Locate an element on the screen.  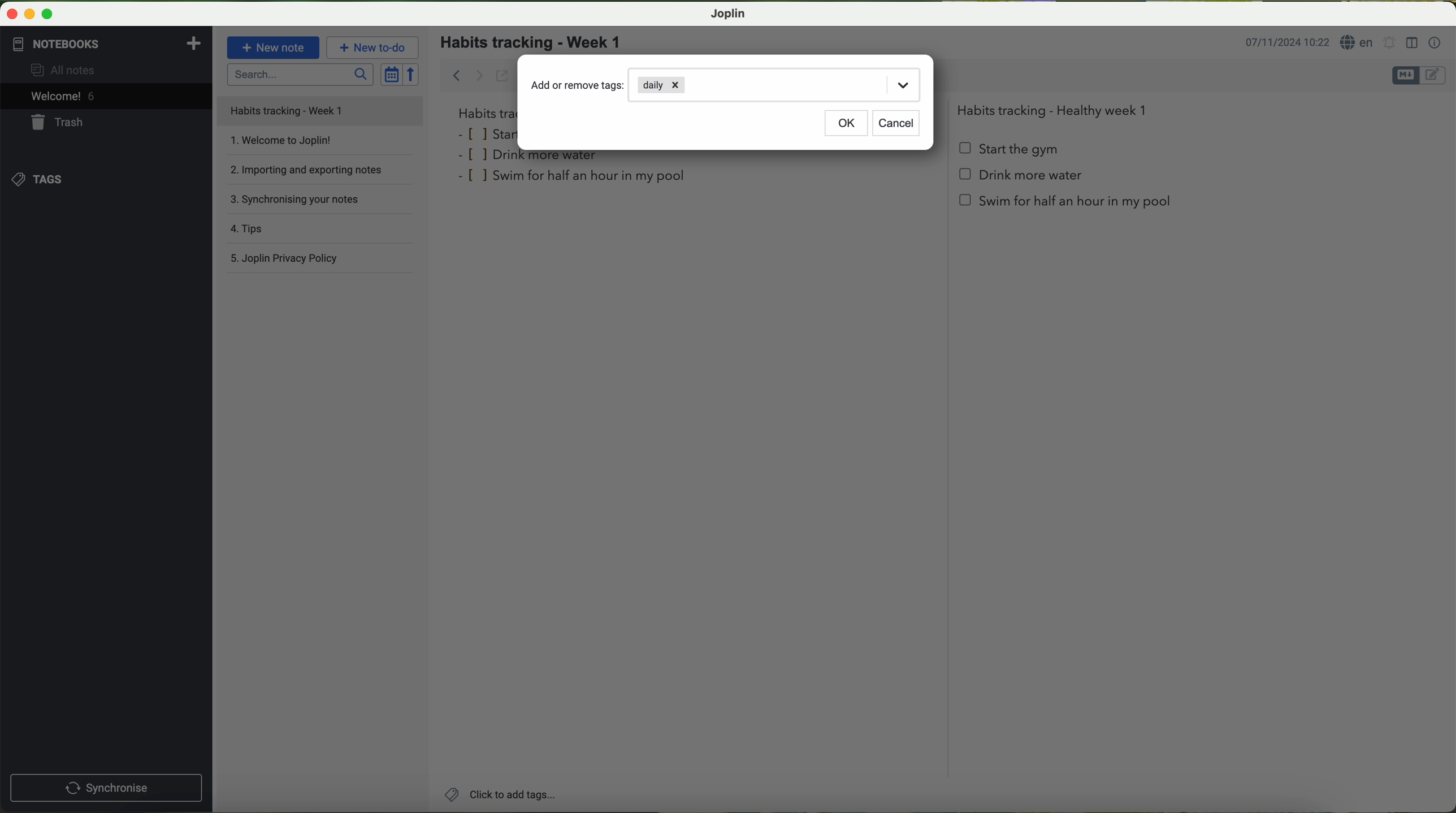
welcome to Joplin is located at coordinates (319, 145).